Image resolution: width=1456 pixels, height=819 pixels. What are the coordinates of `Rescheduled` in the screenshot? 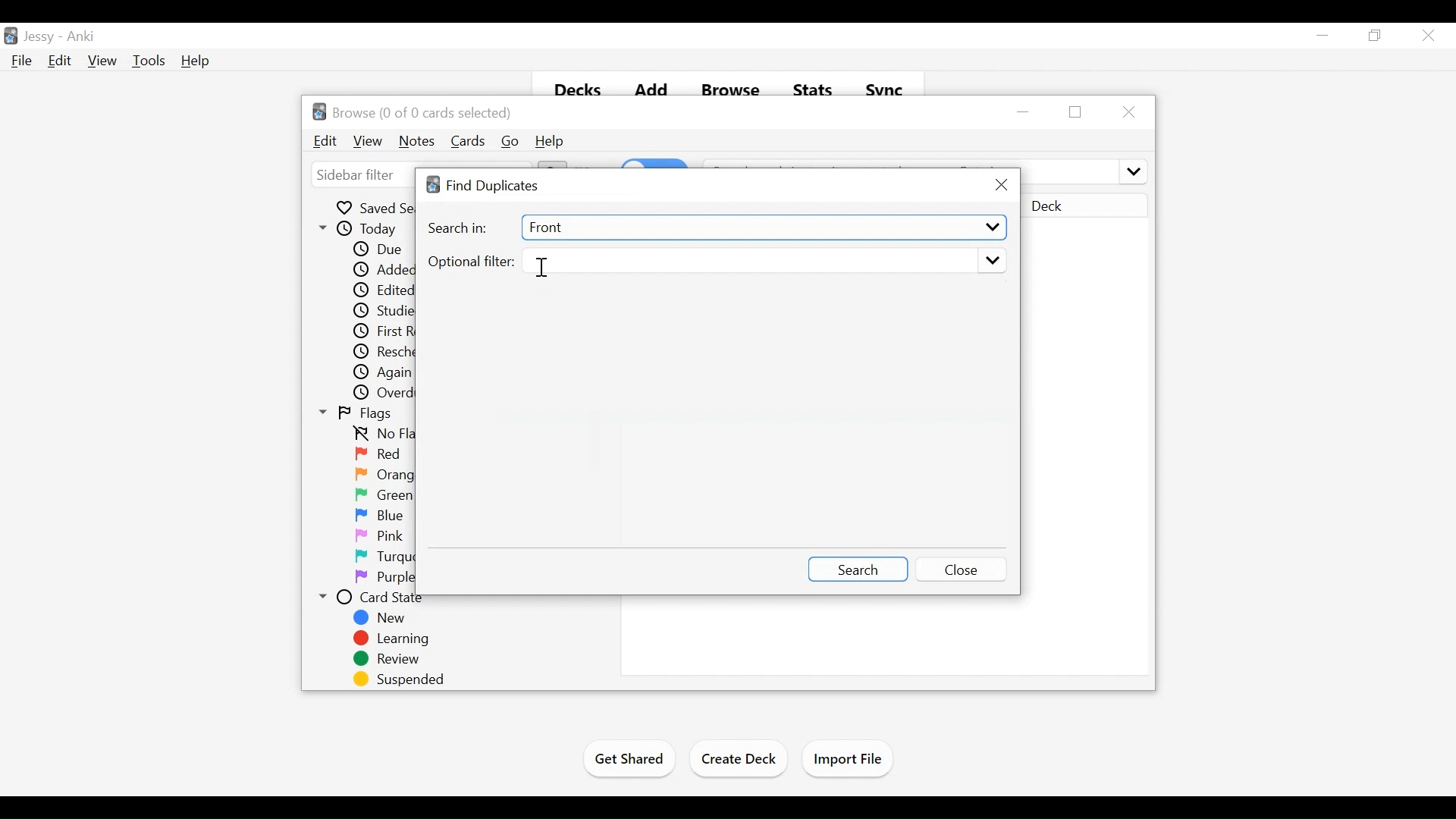 It's located at (384, 352).